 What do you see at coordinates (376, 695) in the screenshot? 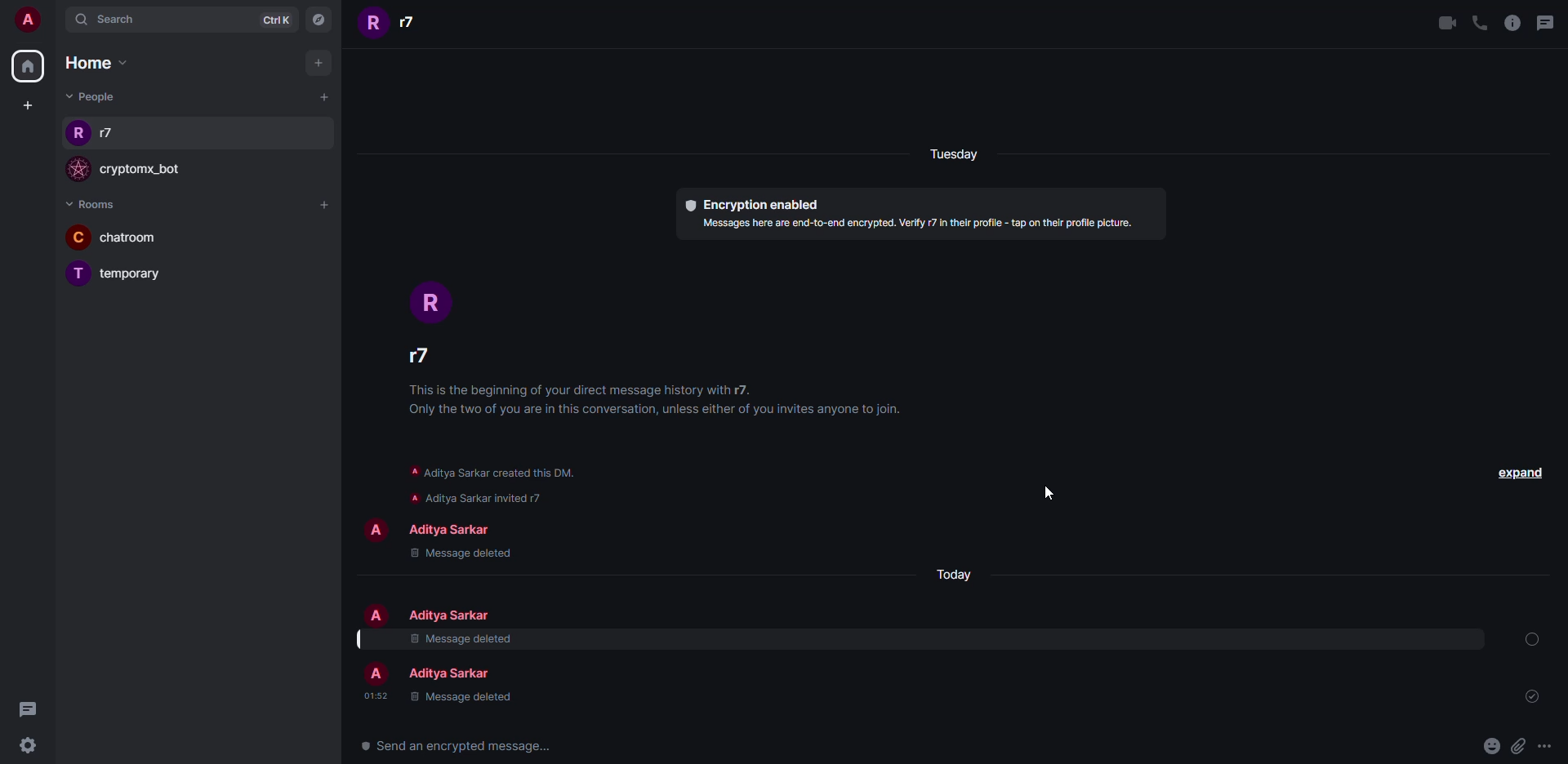
I see `time` at bounding box center [376, 695].